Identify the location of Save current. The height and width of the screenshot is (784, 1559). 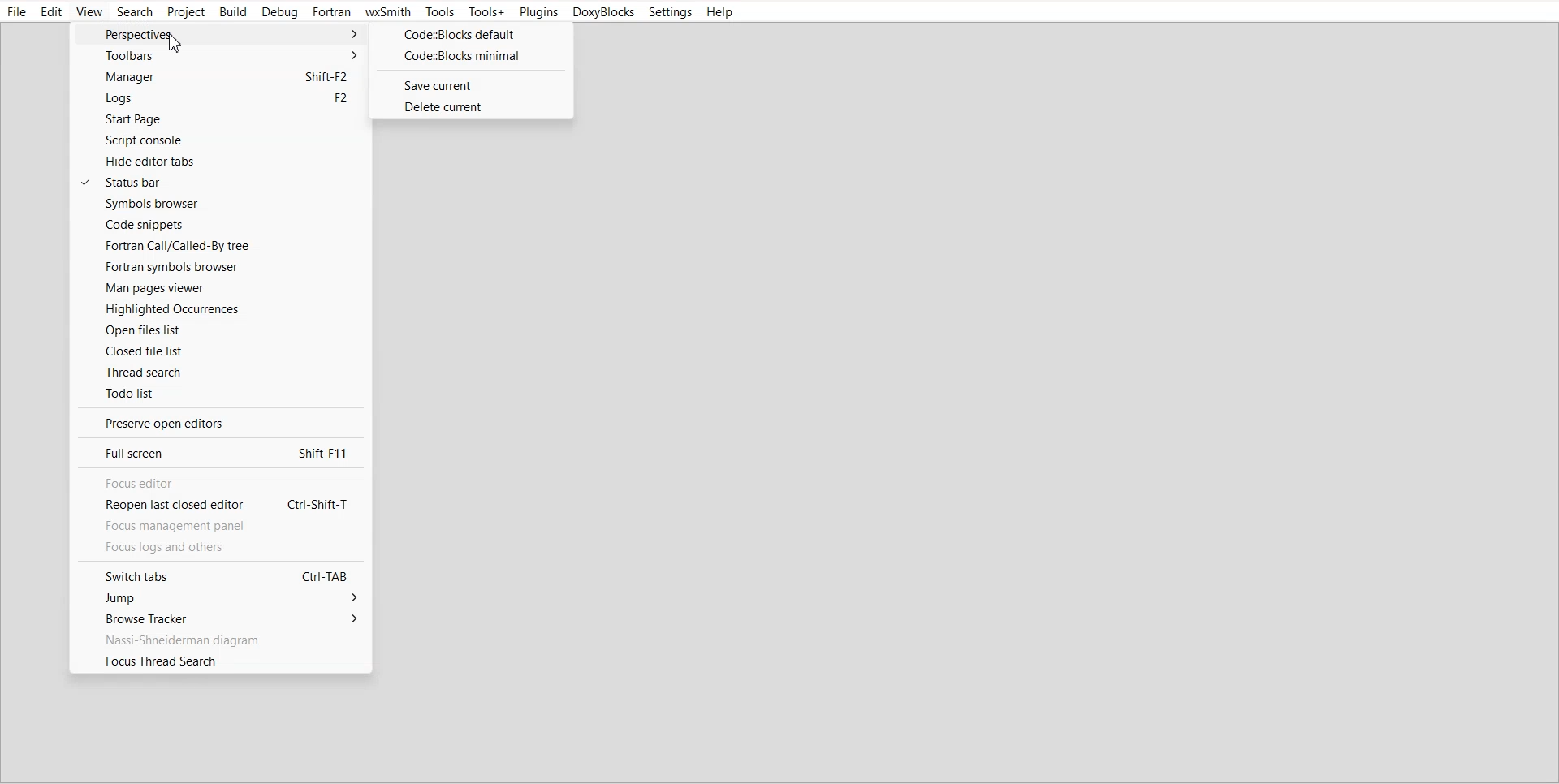
(470, 84).